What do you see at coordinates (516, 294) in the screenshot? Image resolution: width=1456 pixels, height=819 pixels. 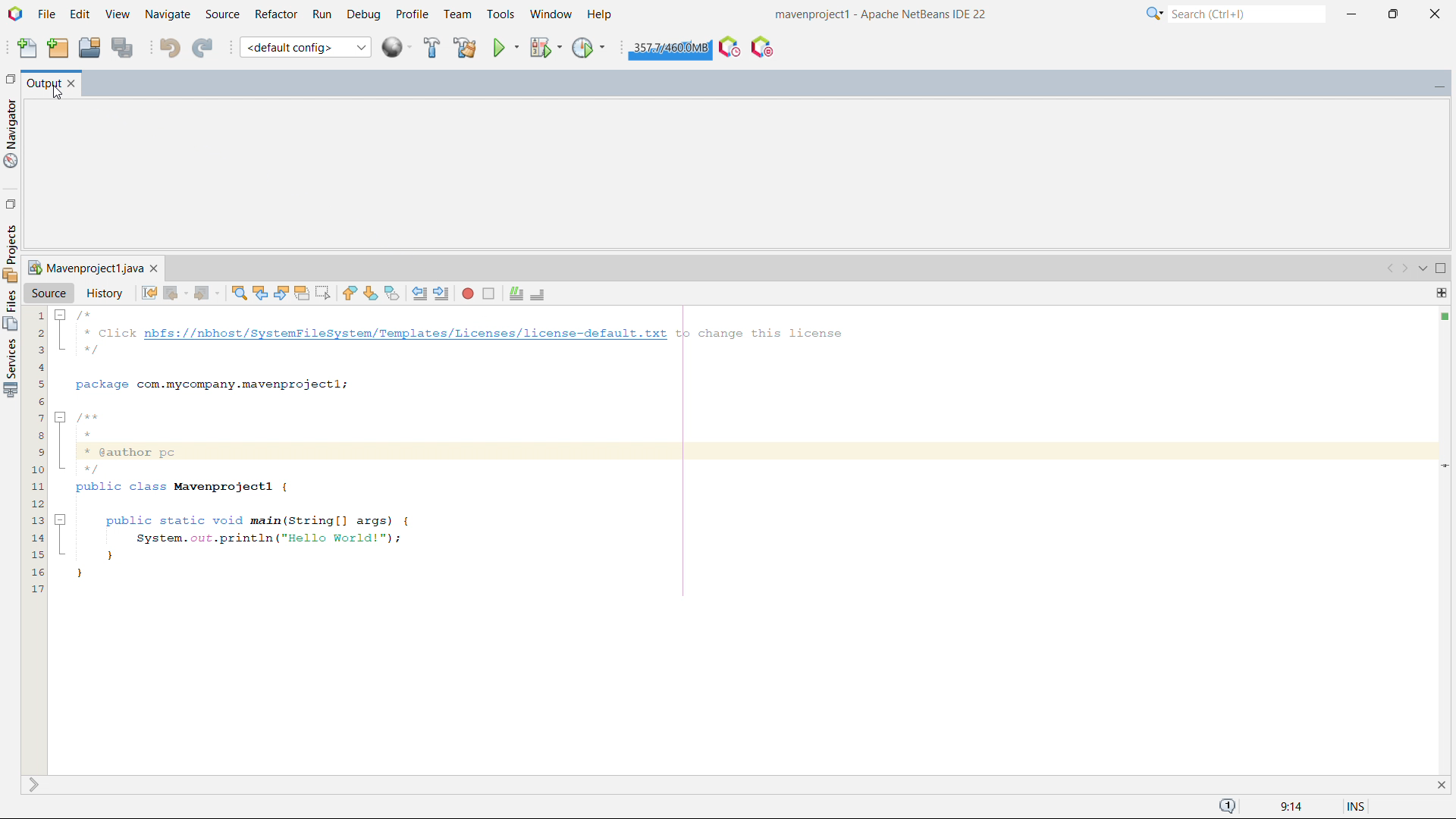 I see `comment` at bounding box center [516, 294].